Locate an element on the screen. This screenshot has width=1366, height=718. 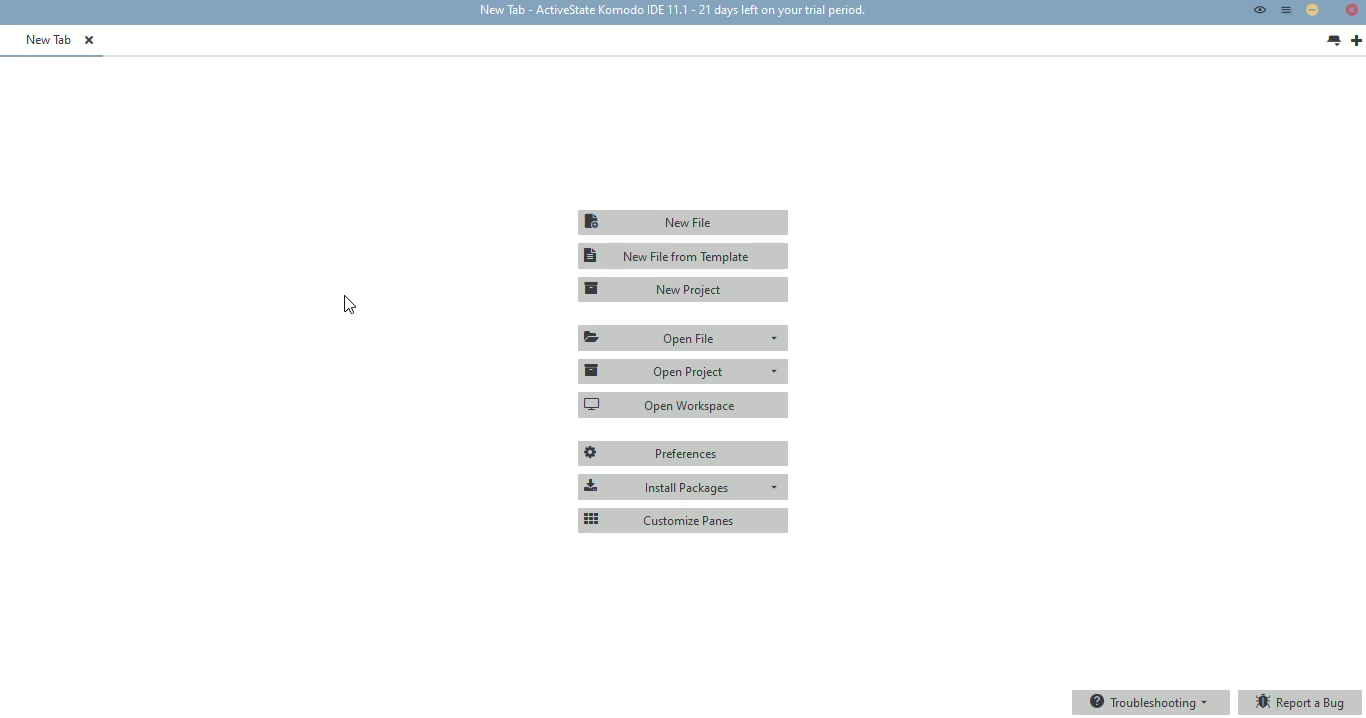
install packages is located at coordinates (684, 487).